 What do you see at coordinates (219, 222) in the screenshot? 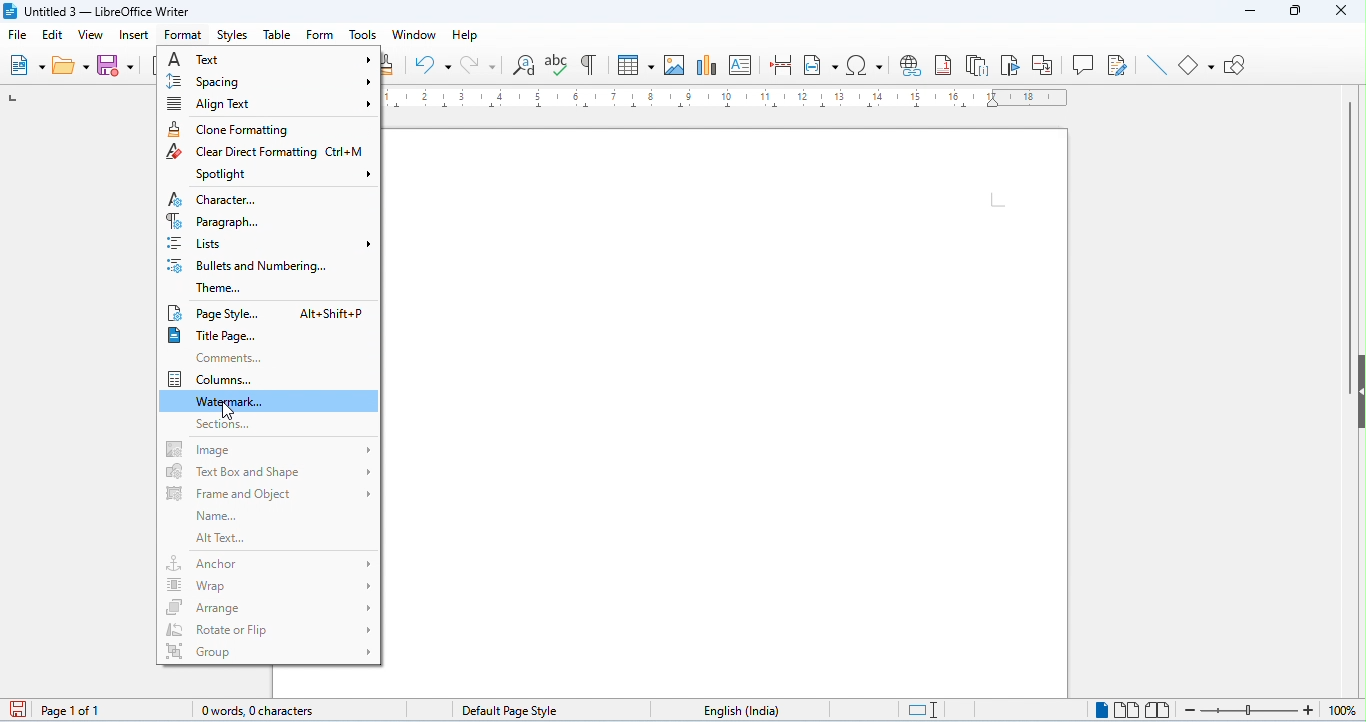
I see `paragraph` at bounding box center [219, 222].